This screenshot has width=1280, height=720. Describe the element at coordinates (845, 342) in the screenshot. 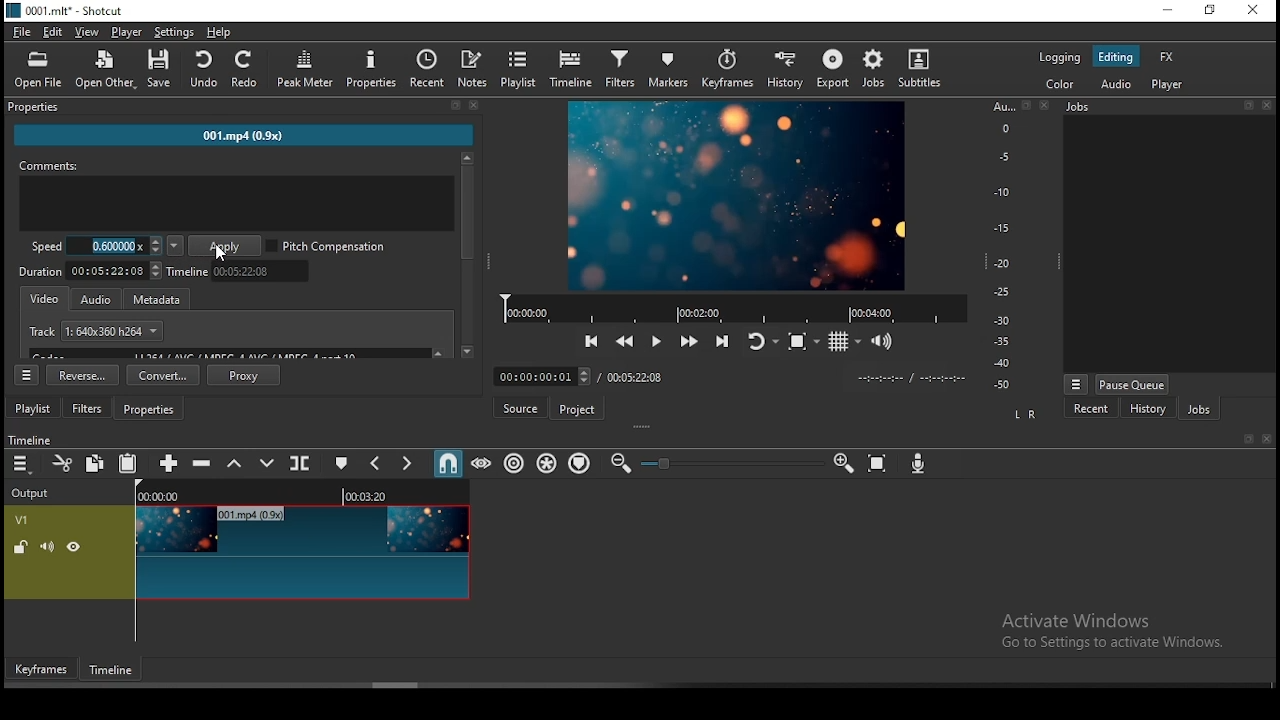

I see `toggle grid display on the player` at that location.